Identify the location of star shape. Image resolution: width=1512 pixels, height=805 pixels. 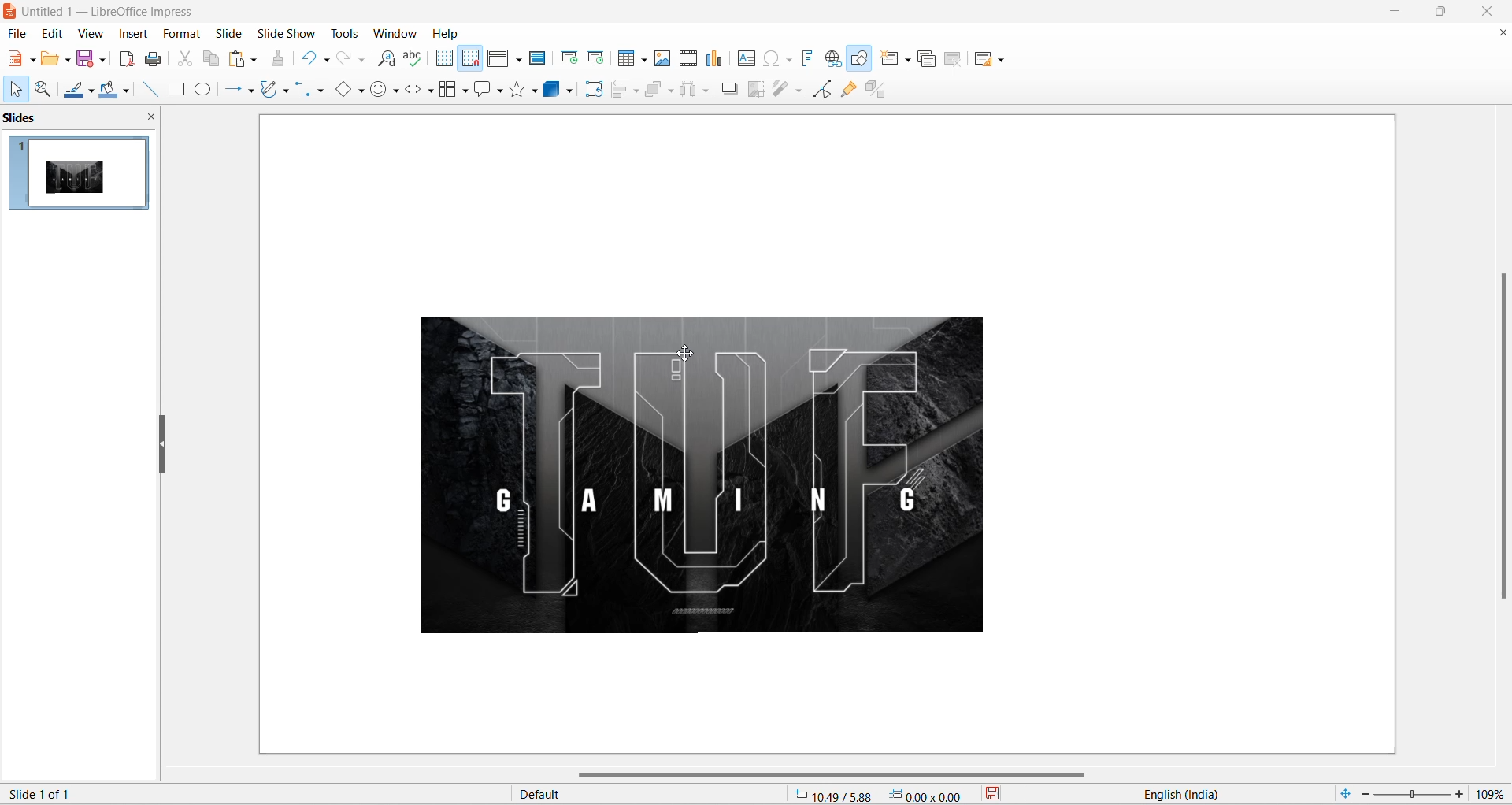
(517, 88).